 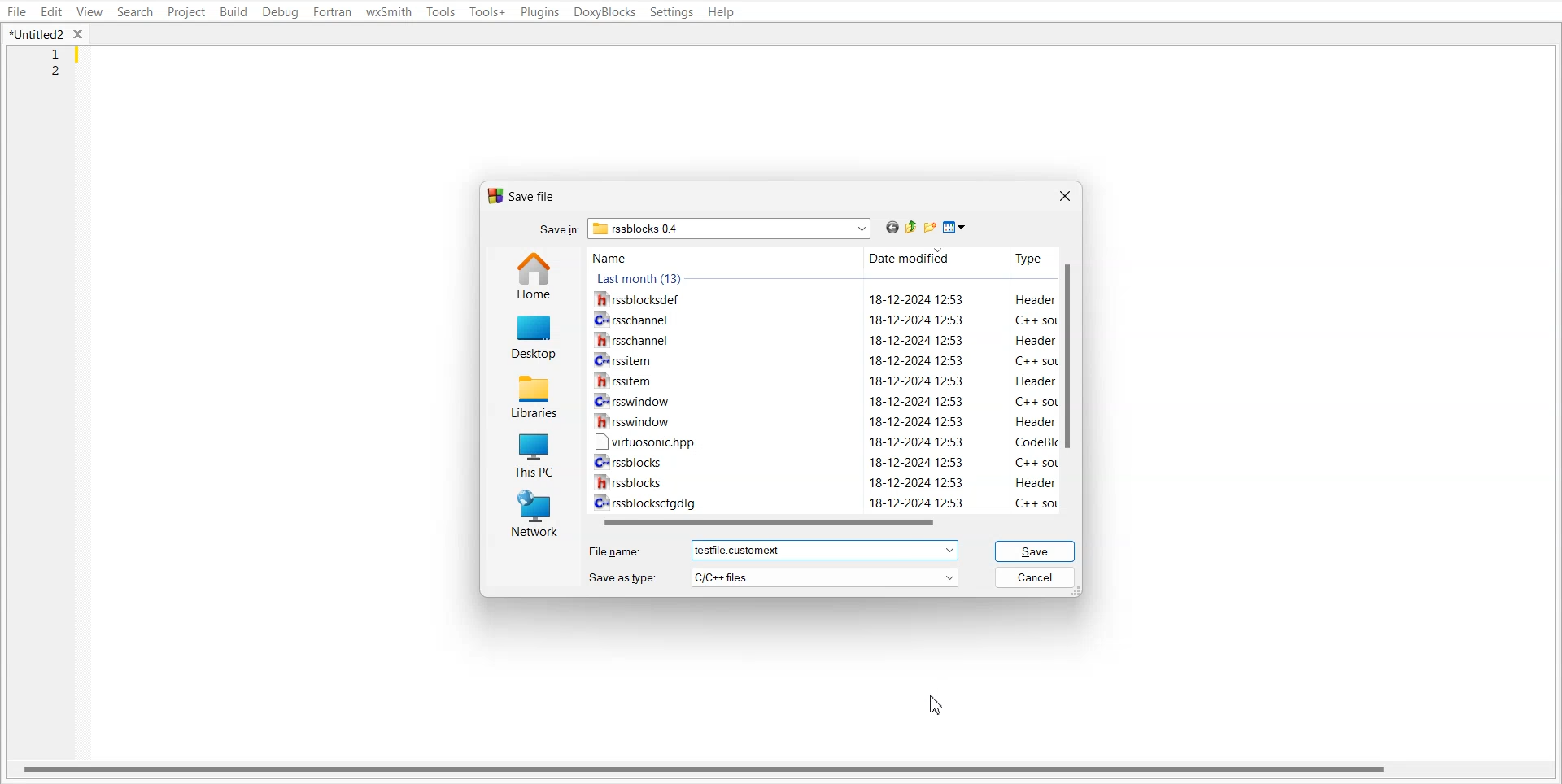 What do you see at coordinates (826, 321) in the screenshot?
I see `C= rsschannel 18-12-2024 12:53 C++ sot` at bounding box center [826, 321].